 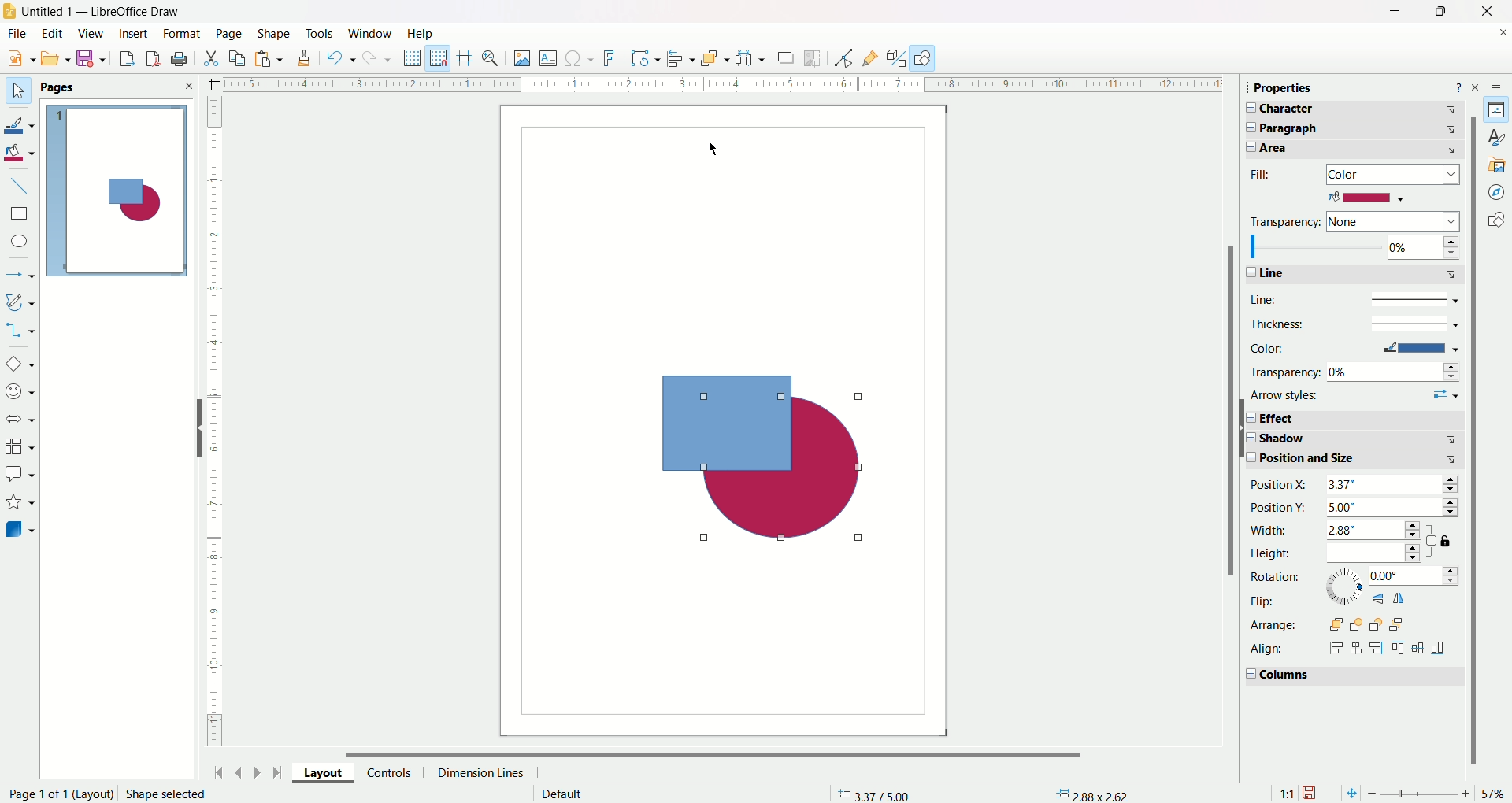 I want to click on close, so click(x=1478, y=86).